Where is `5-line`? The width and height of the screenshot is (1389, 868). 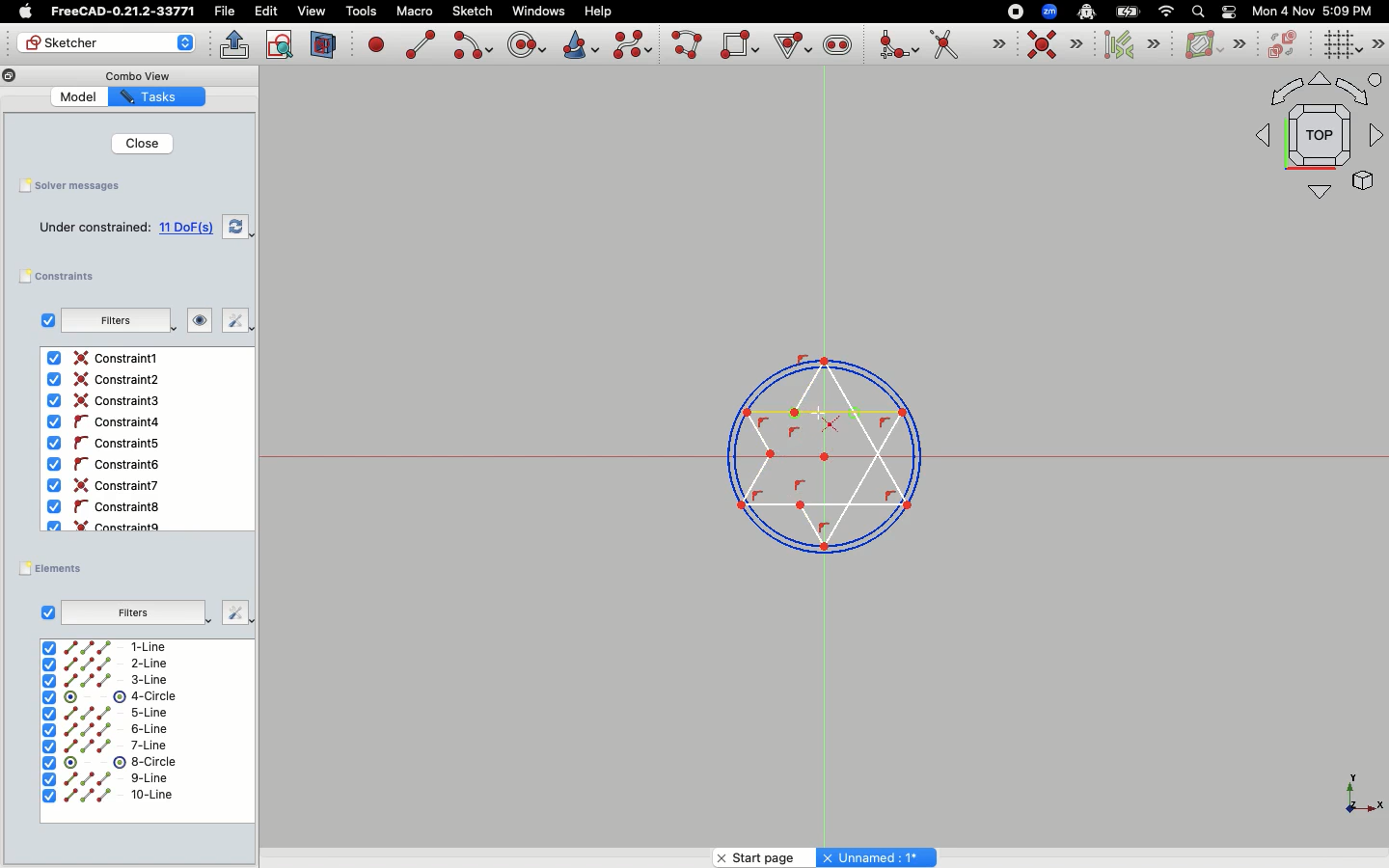
5-line is located at coordinates (107, 713).